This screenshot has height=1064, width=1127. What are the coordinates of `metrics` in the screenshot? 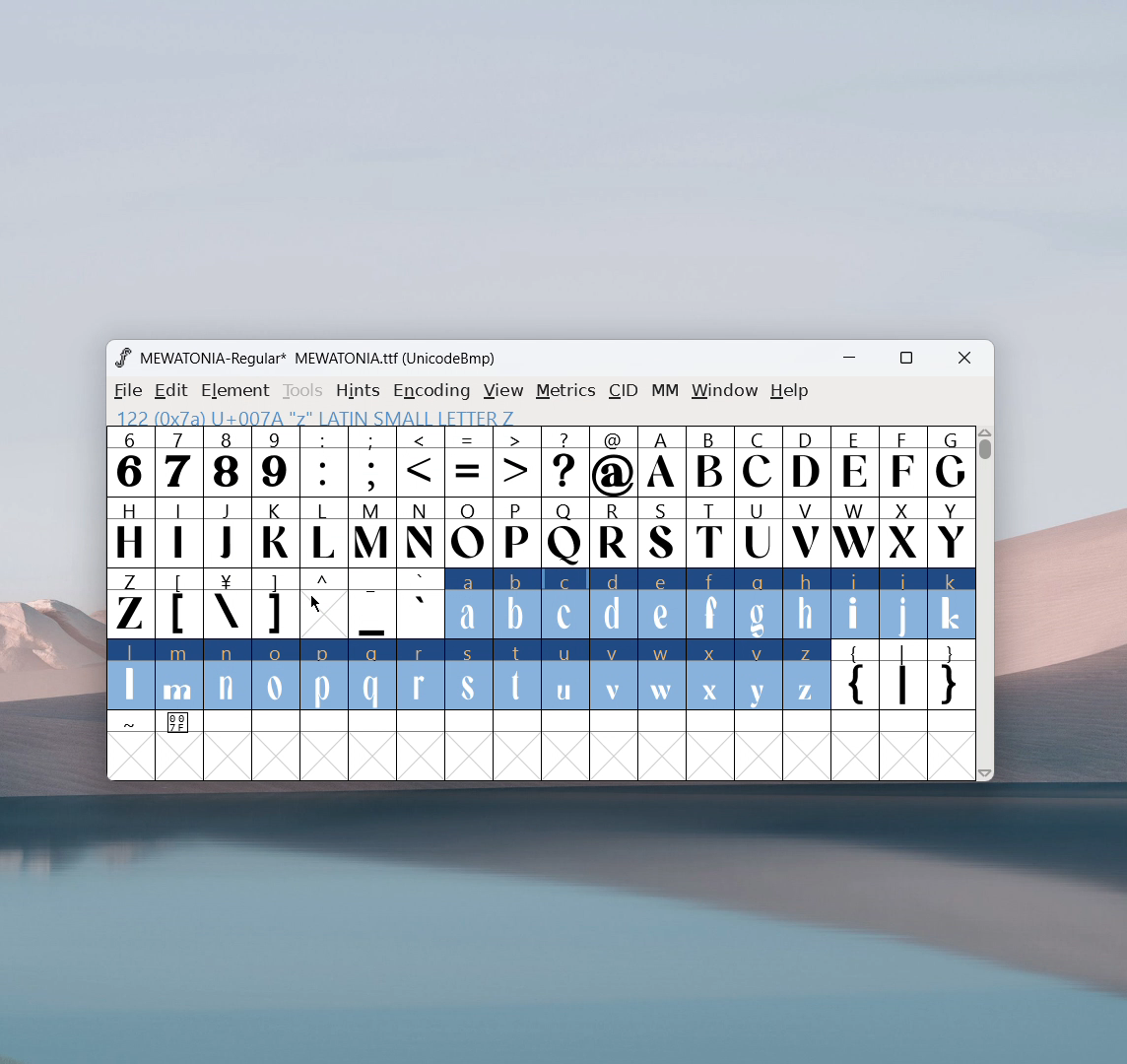 It's located at (565, 391).